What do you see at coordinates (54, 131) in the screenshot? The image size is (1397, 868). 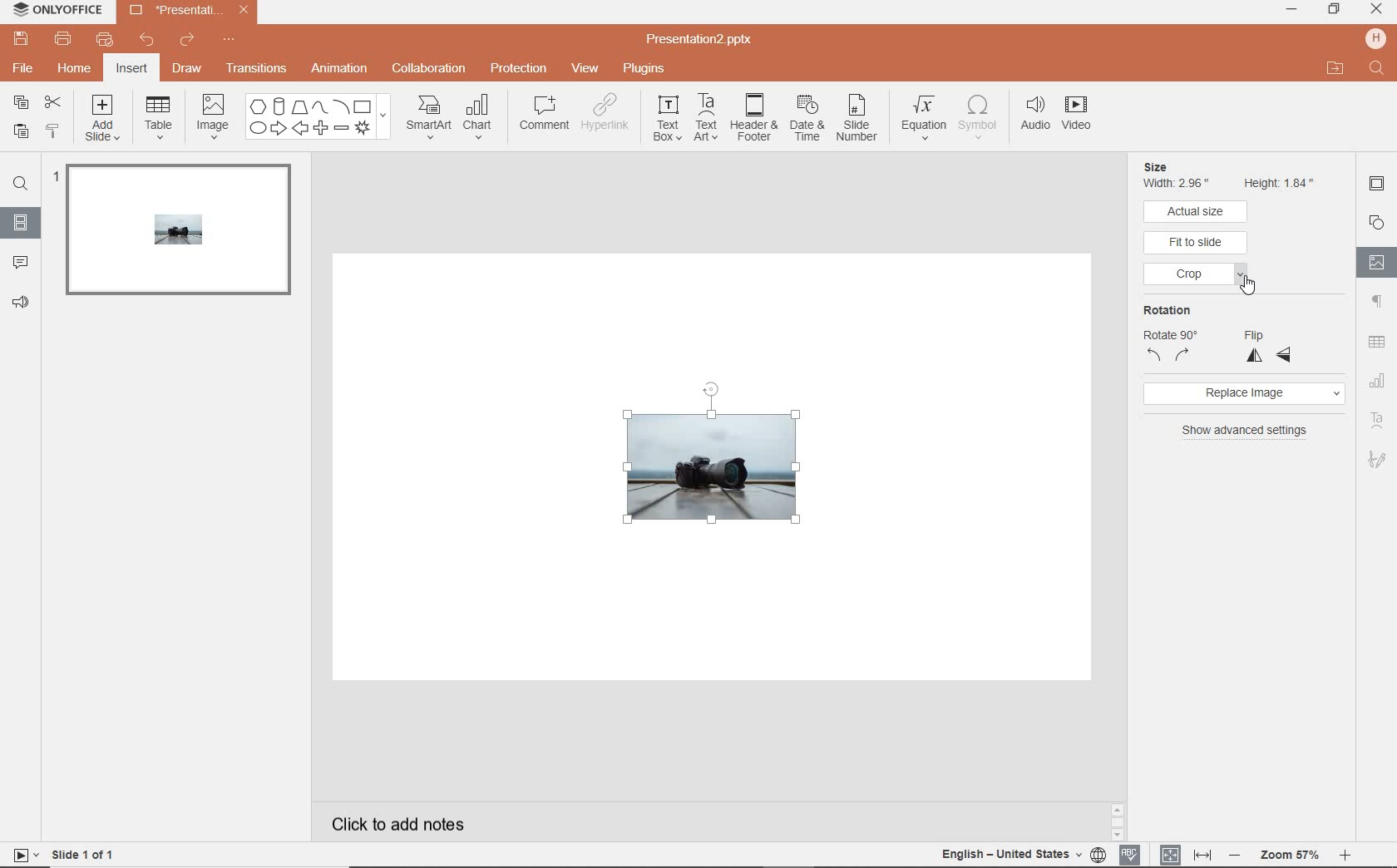 I see `copy style` at bounding box center [54, 131].